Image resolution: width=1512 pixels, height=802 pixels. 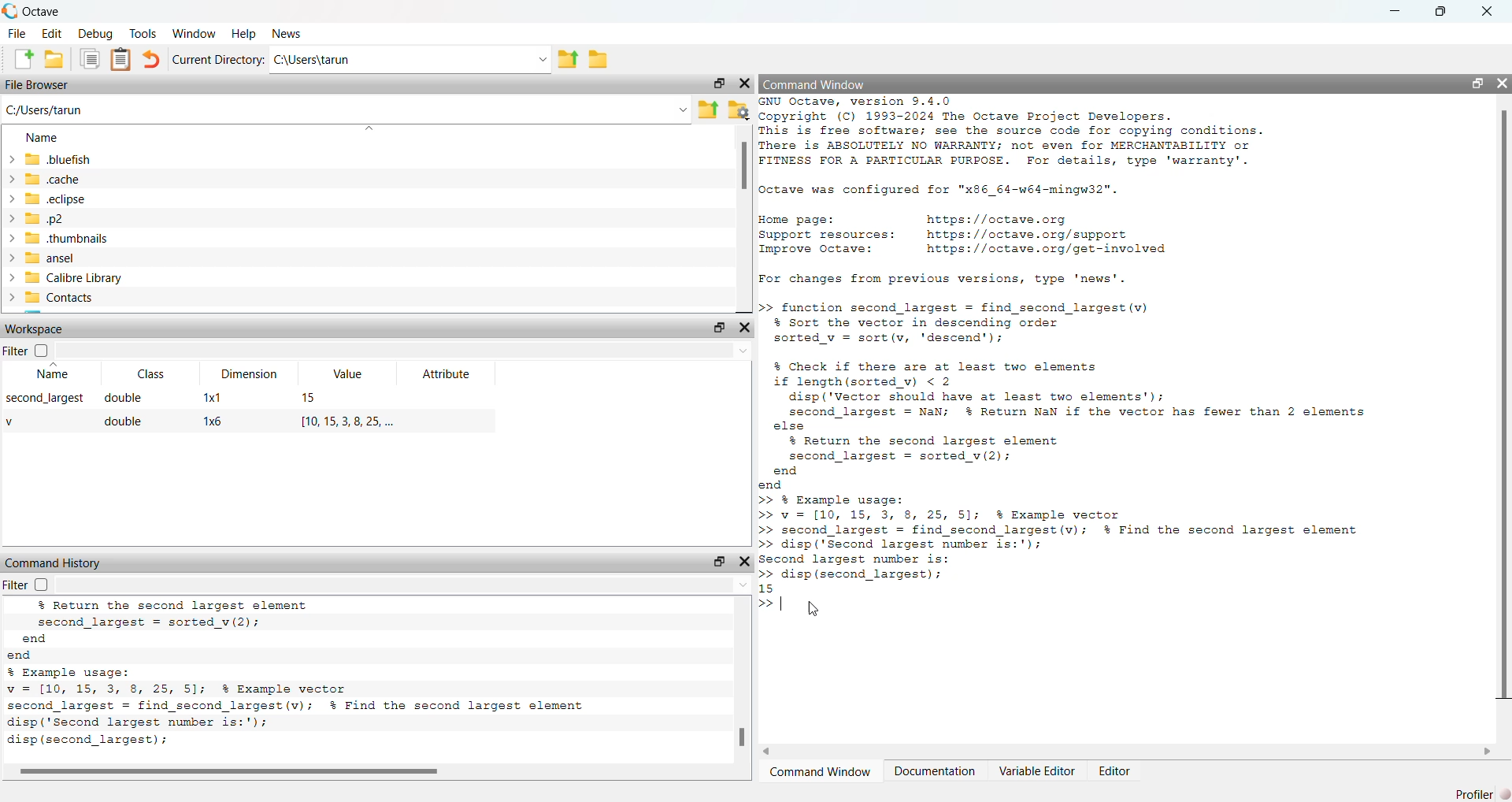 What do you see at coordinates (17, 60) in the screenshot?
I see `new script` at bounding box center [17, 60].